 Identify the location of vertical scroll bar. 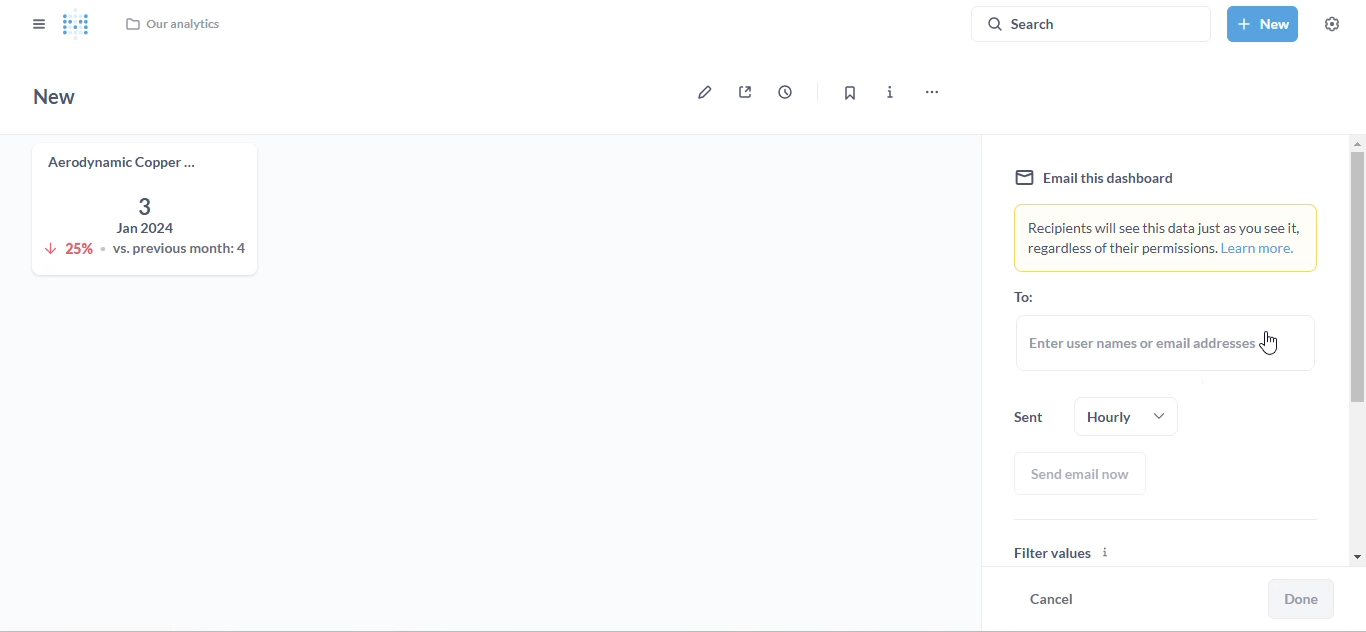
(1357, 277).